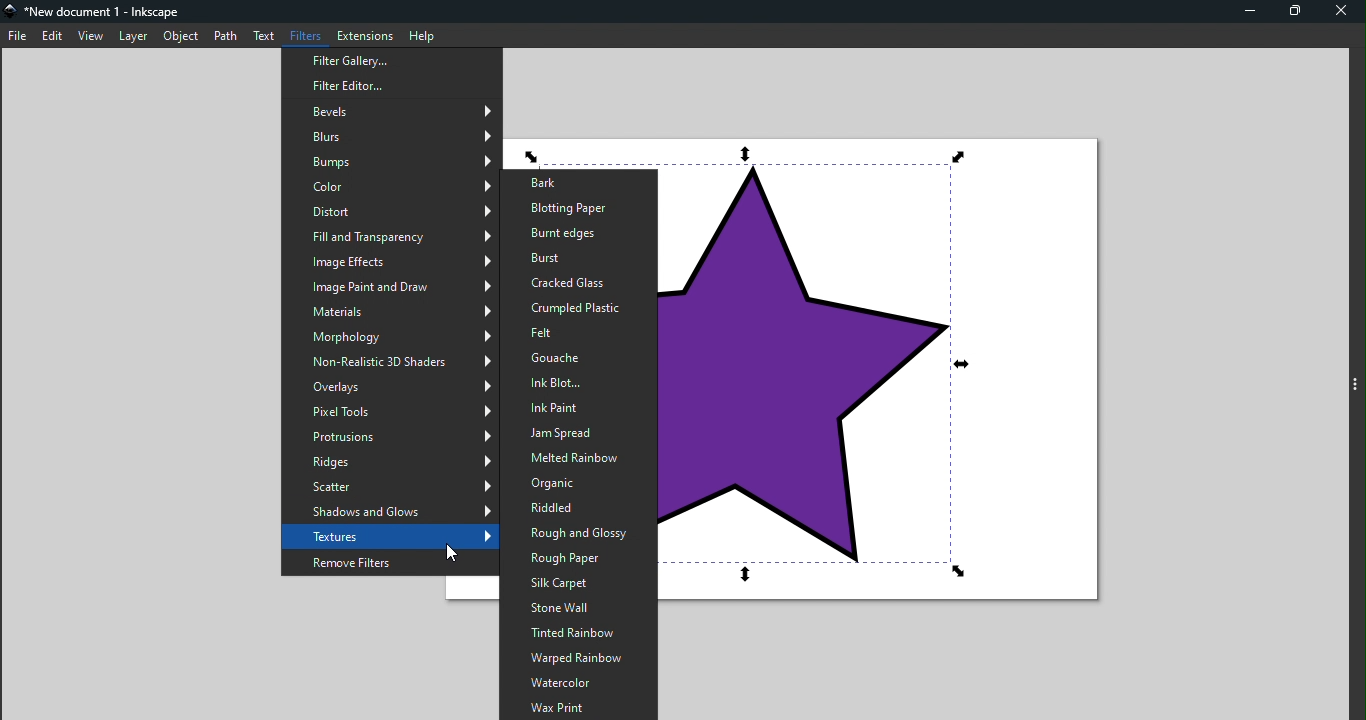 The image size is (1366, 720). Describe the element at coordinates (363, 34) in the screenshot. I see `Extensions` at that location.